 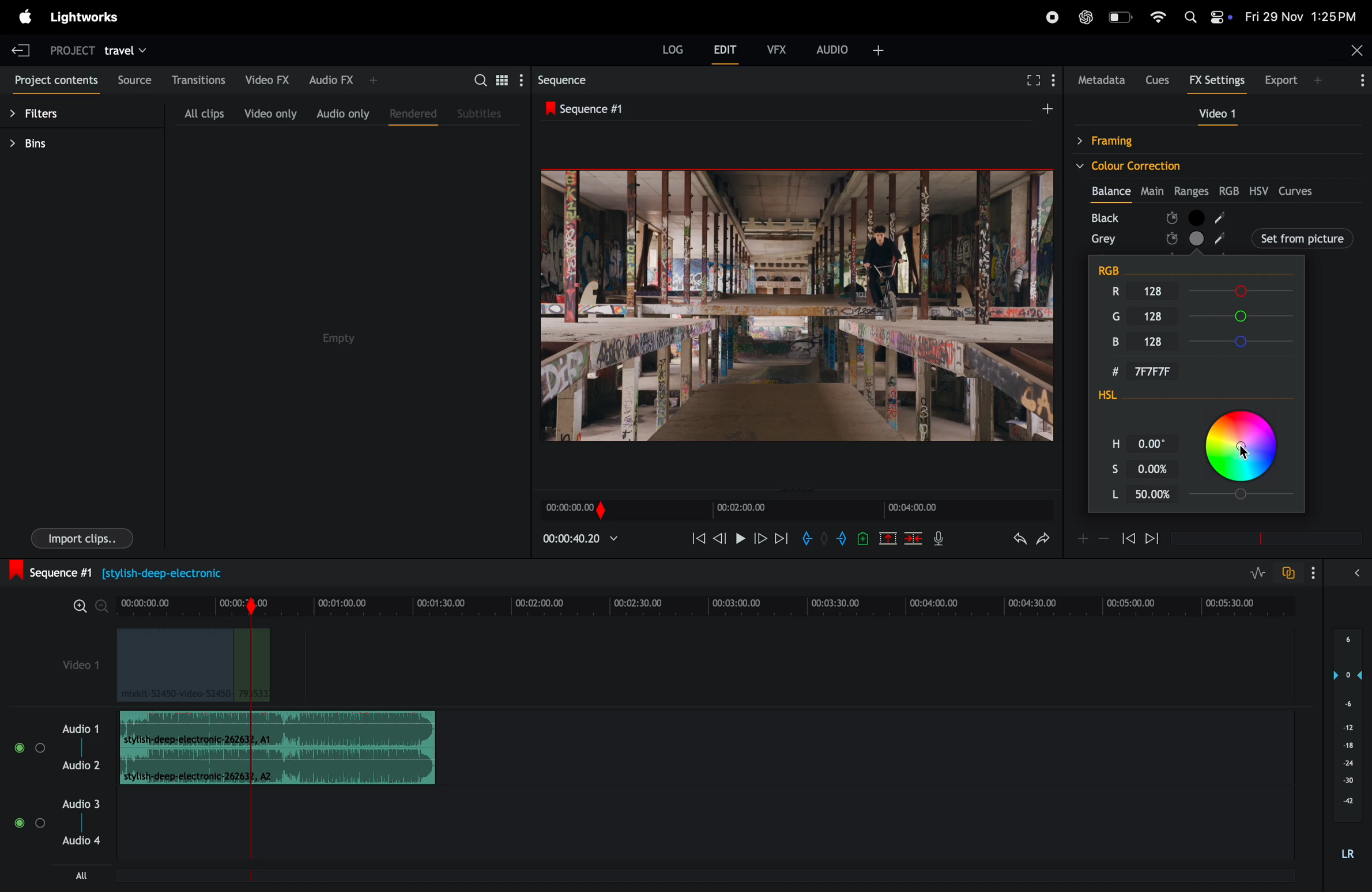 What do you see at coordinates (794, 511) in the screenshot?
I see `time frame` at bounding box center [794, 511].